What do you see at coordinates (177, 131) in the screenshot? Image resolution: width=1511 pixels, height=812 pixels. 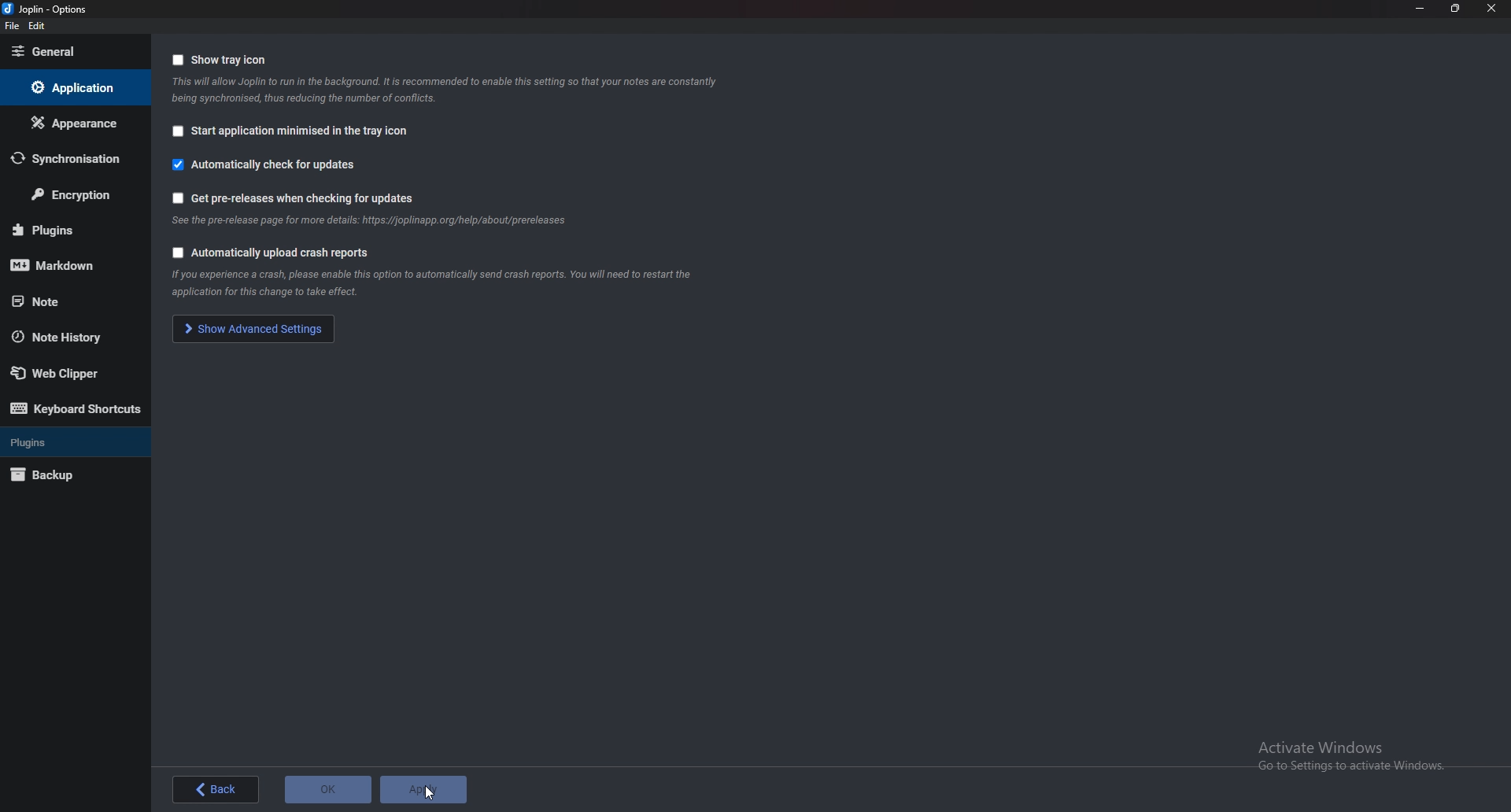 I see `Checkbox ` at bounding box center [177, 131].